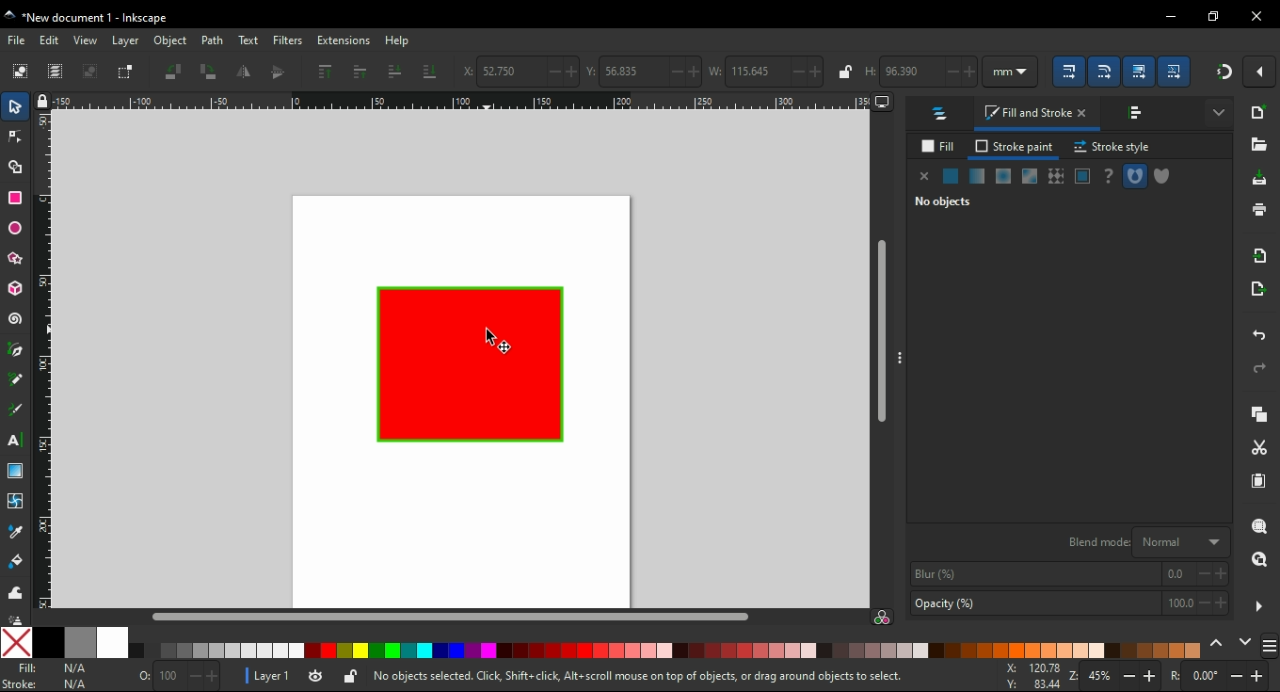  Describe the element at coordinates (16, 317) in the screenshot. I see `spiral tool` at that location.